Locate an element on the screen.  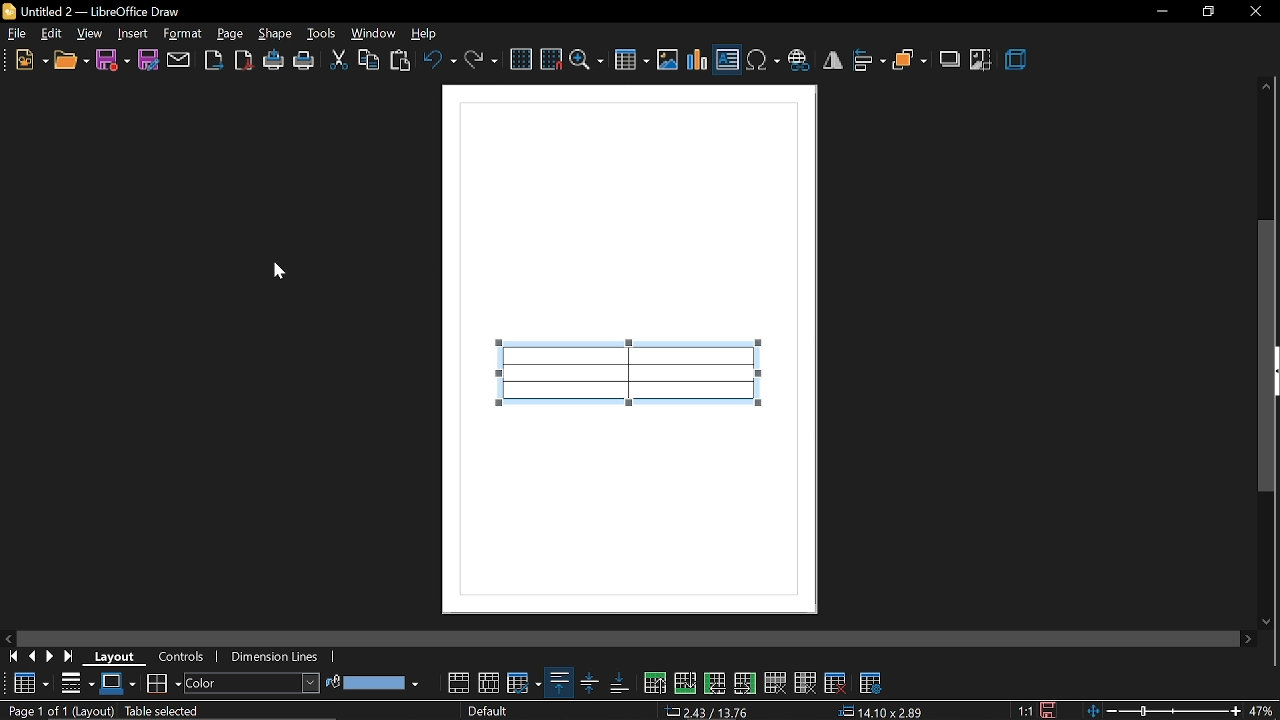
print is located at coordinates (305, 62).